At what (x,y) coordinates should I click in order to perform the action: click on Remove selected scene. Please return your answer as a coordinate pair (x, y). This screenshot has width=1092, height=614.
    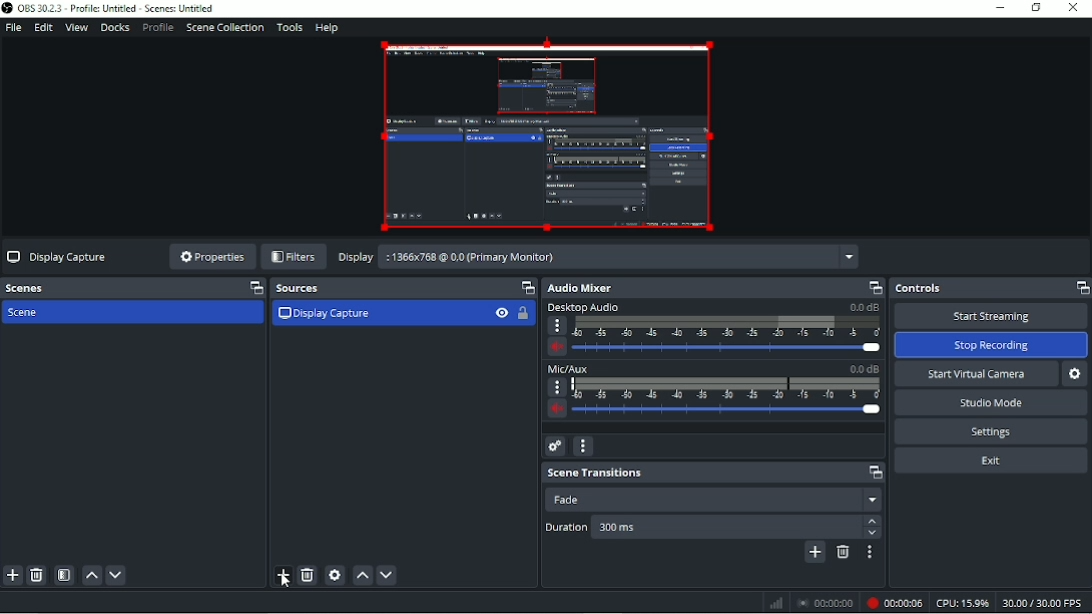
    Looking at the image, I should click on (37, 575).